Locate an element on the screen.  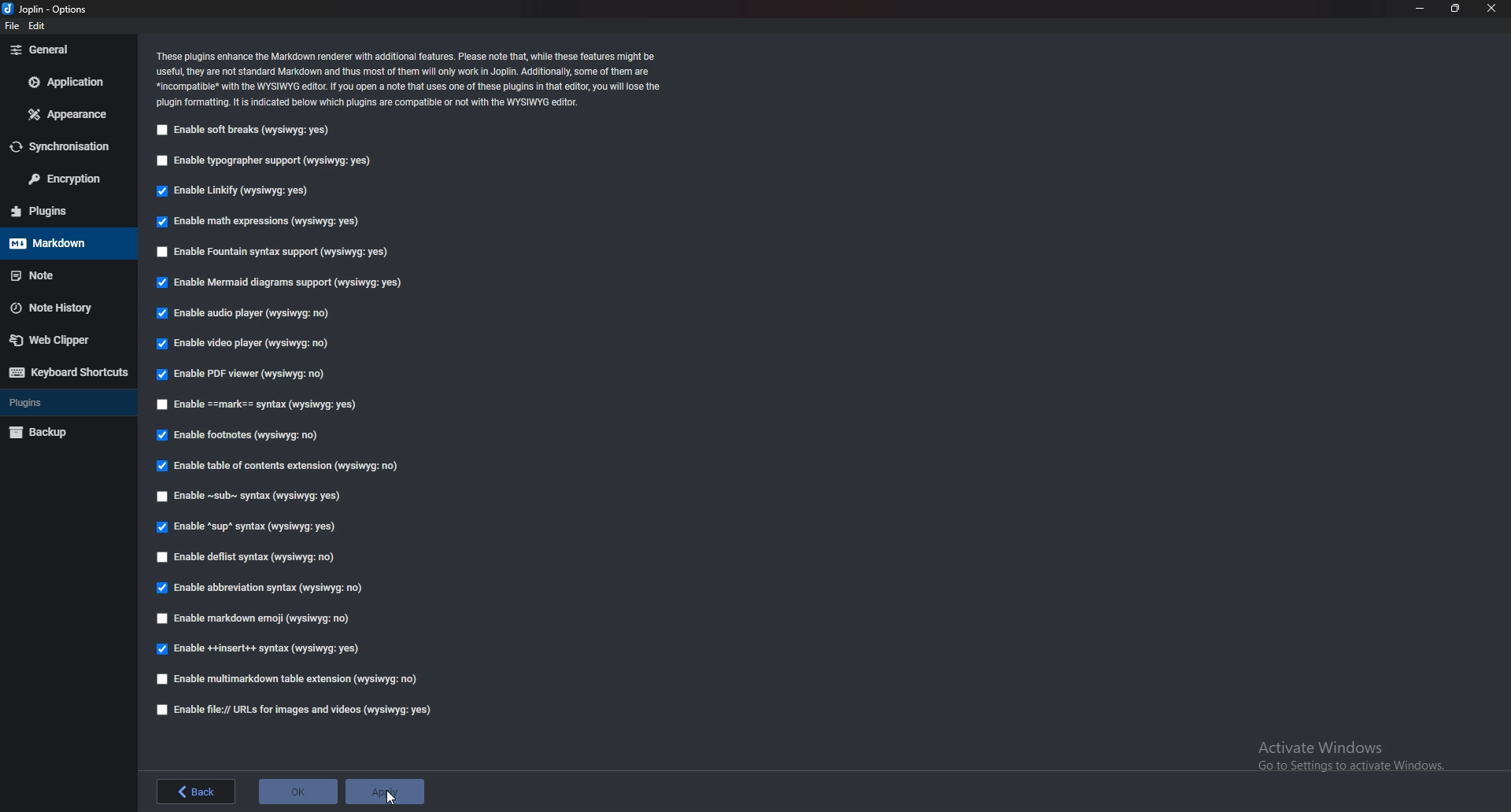
Enable soft breaks is located at coordinates (245, 132).